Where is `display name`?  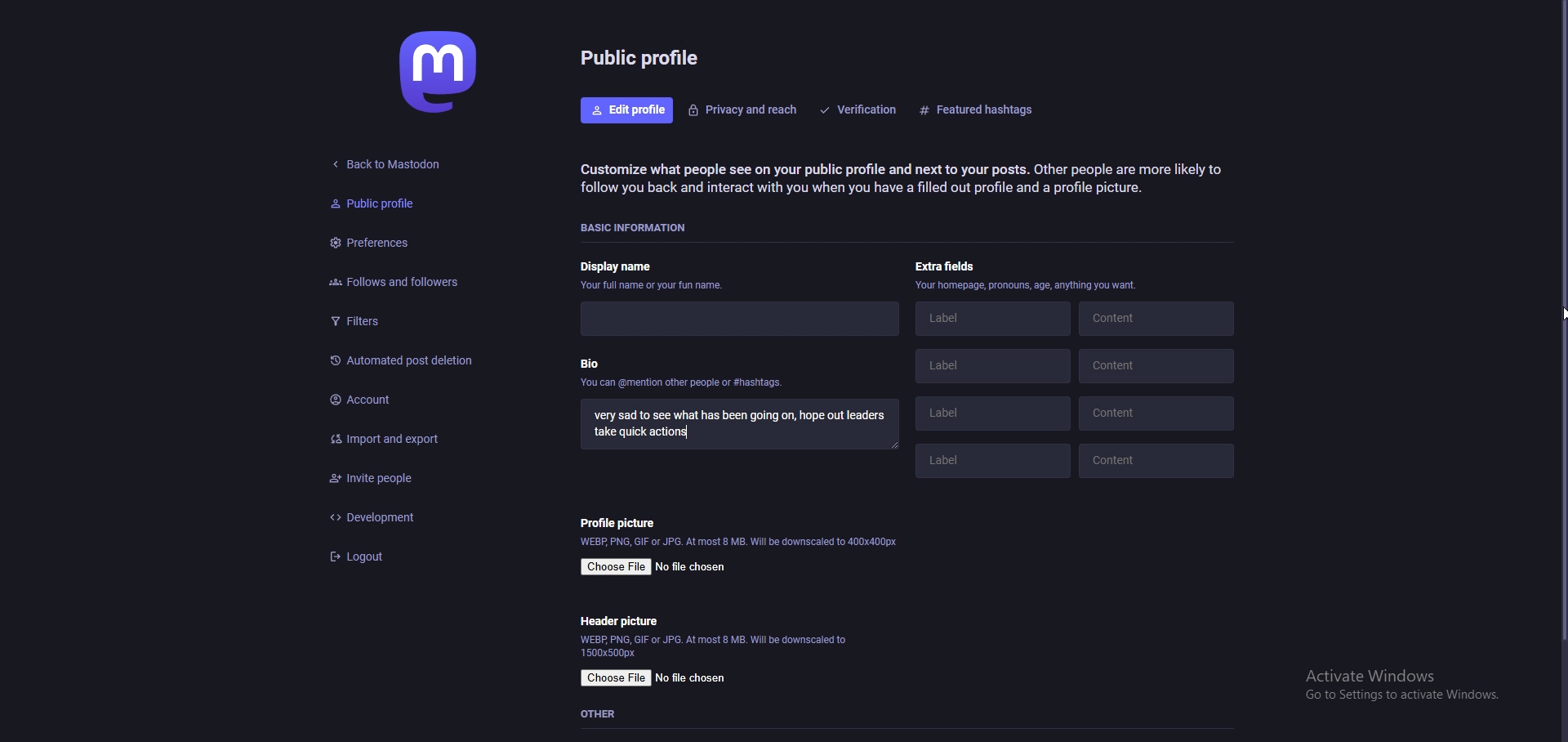 display name is located at coordinates (649, 275).